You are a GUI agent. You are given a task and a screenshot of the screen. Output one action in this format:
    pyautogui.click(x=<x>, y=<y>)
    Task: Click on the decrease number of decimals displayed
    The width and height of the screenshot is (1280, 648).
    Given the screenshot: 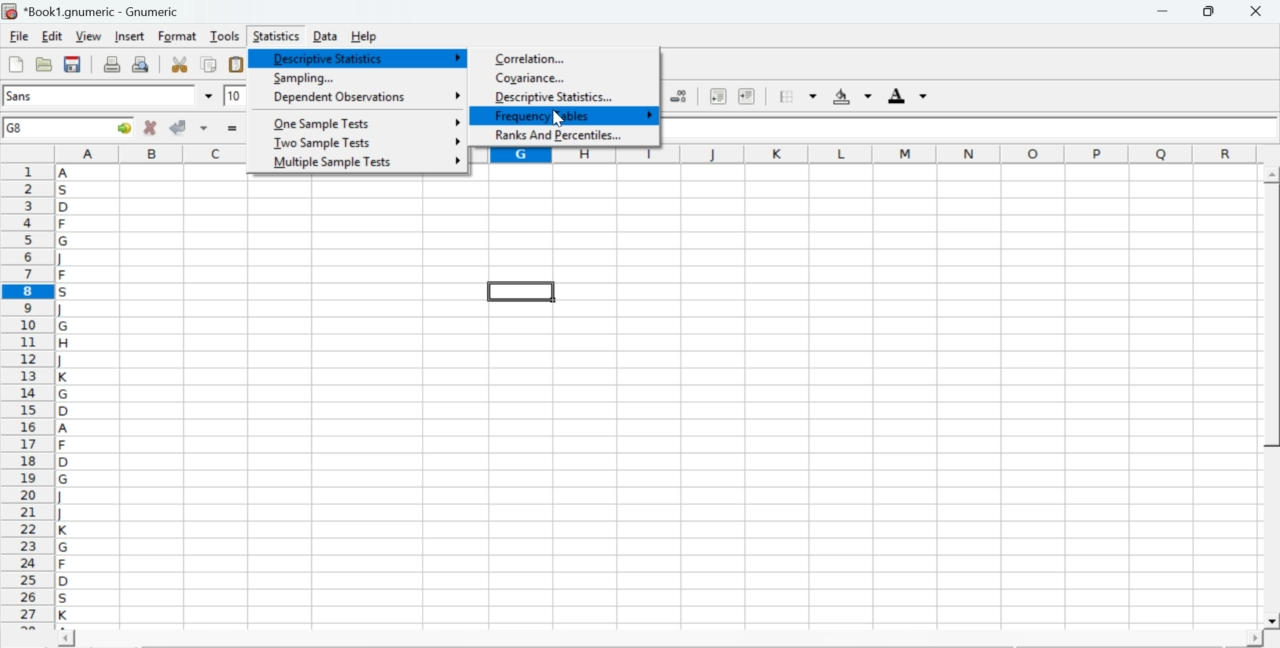 What is the action you would take?
    pyautogui.click(x=678, y=97)
    